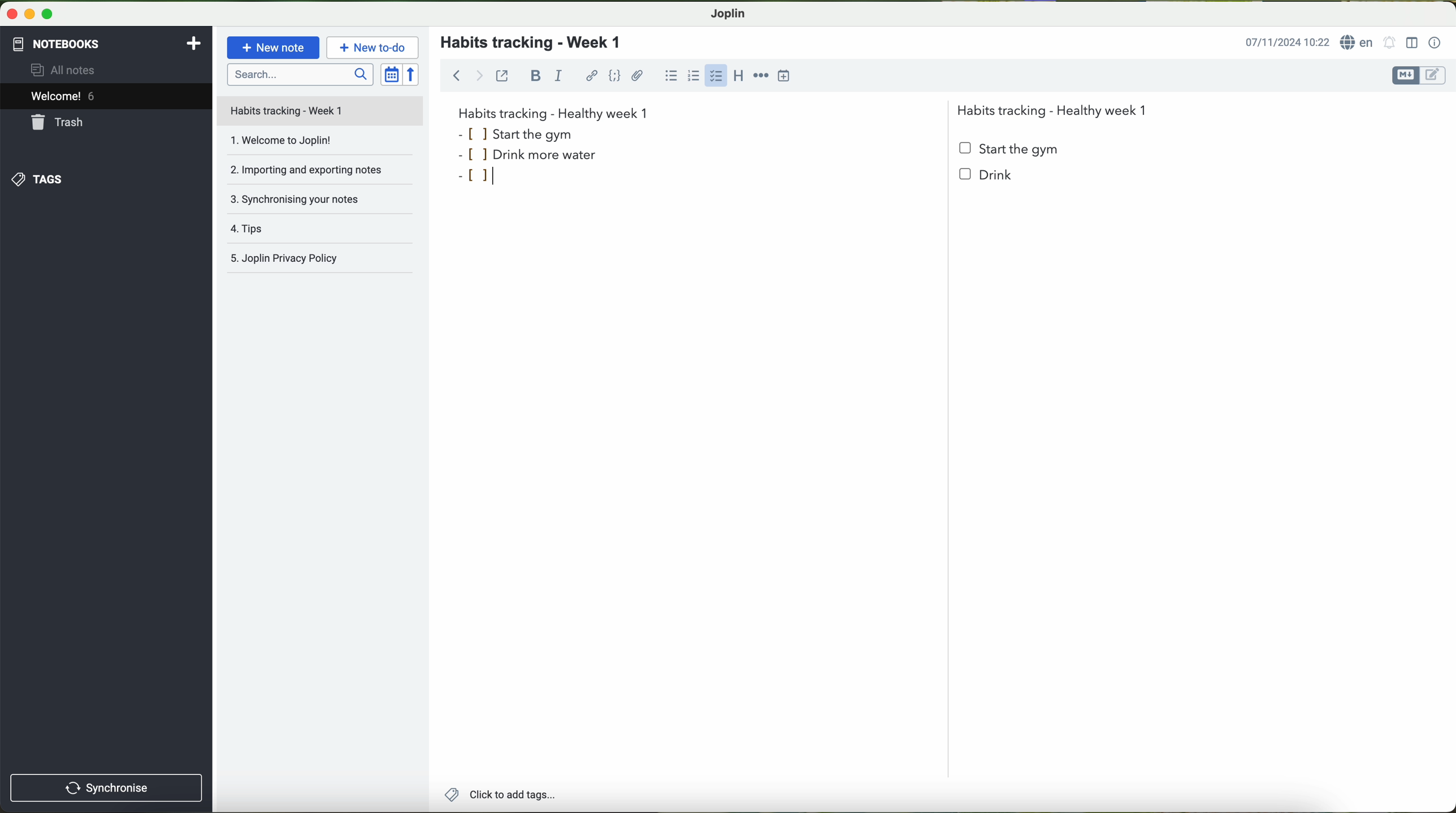 This screenshot has width=1456, height=813. I want to click on hyperlink, so click(592, 76).